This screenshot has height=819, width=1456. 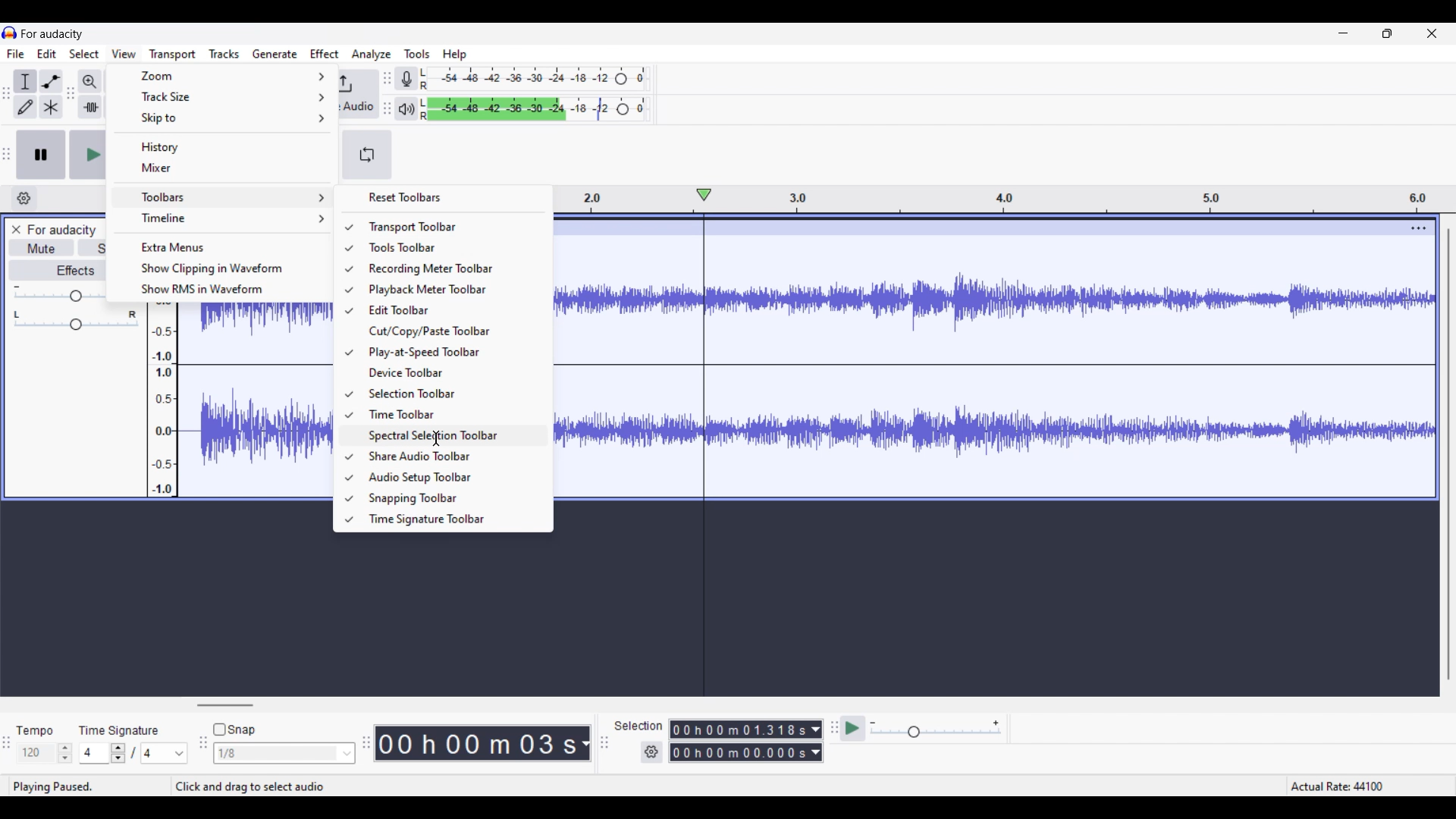 I want to click on Time toolbar, so click(x=450, y=414).